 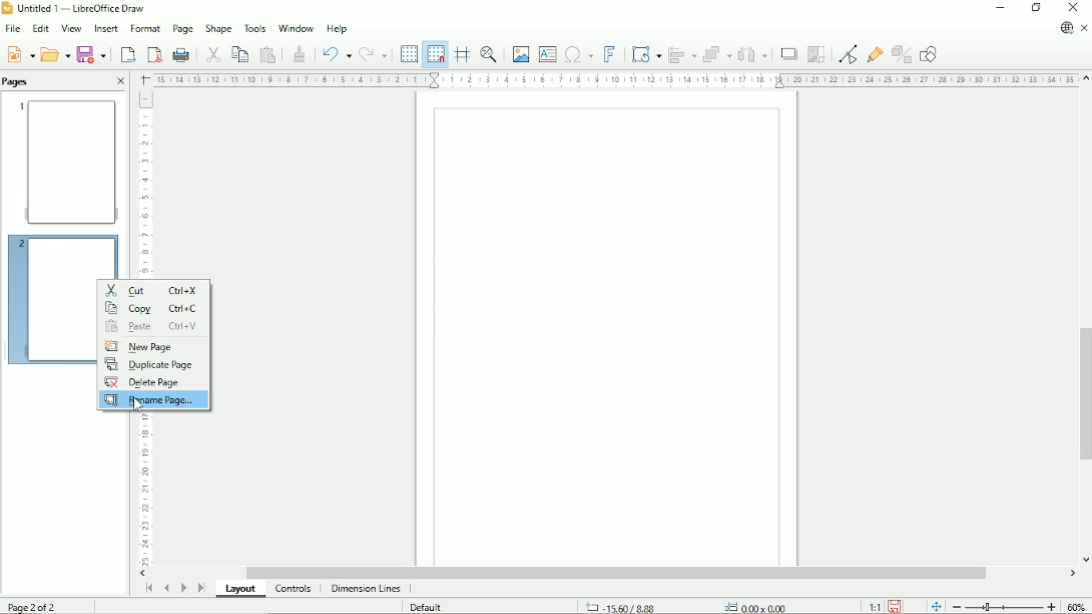 What do you see at coordinates (615, 573) in the screenshot?
I see `Horizontal scrollbar` at bounding box center [615, 573].